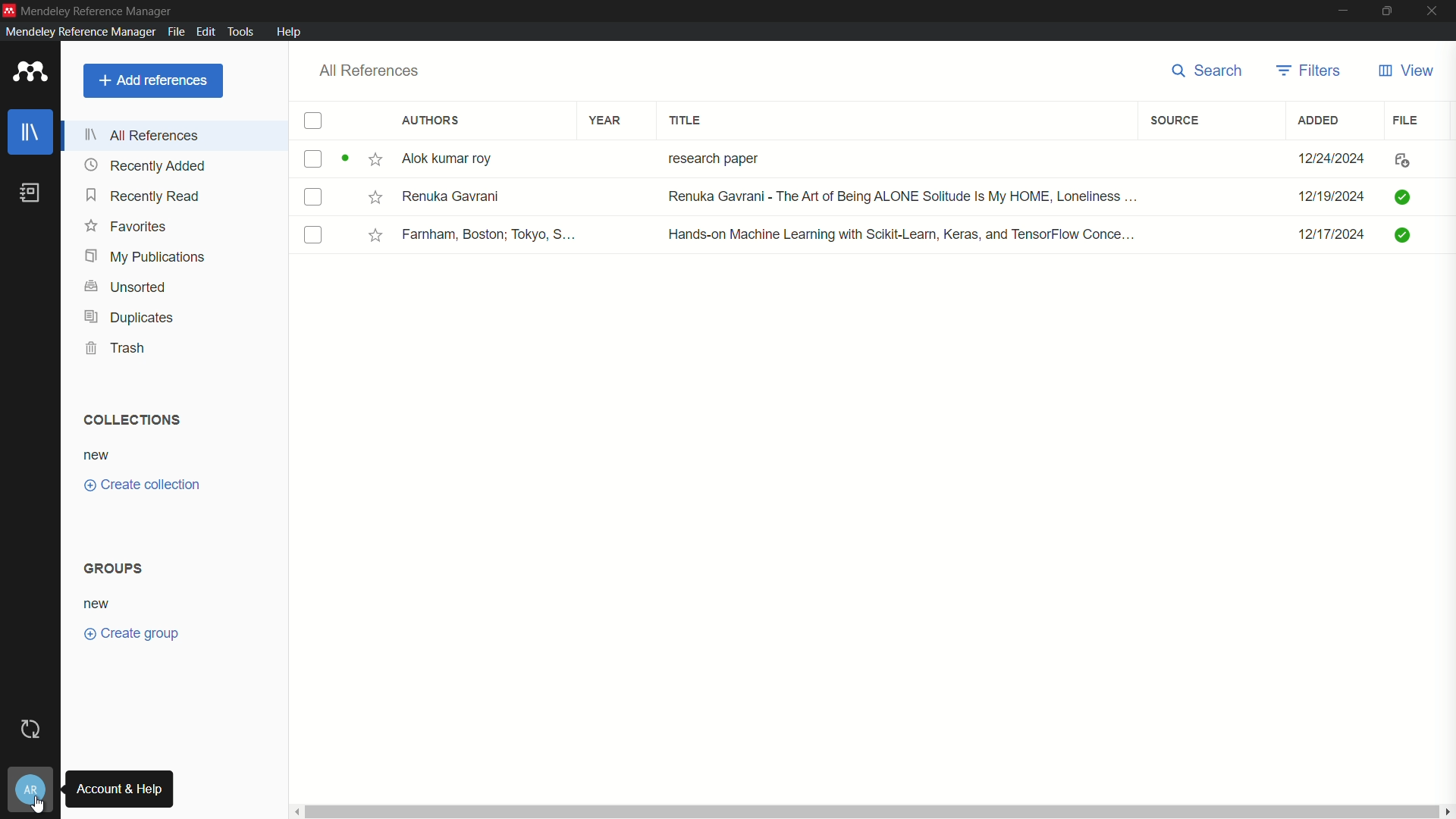 This screenshot has height=819, width=1456. I want to click on unsorted, so click(127, 286).